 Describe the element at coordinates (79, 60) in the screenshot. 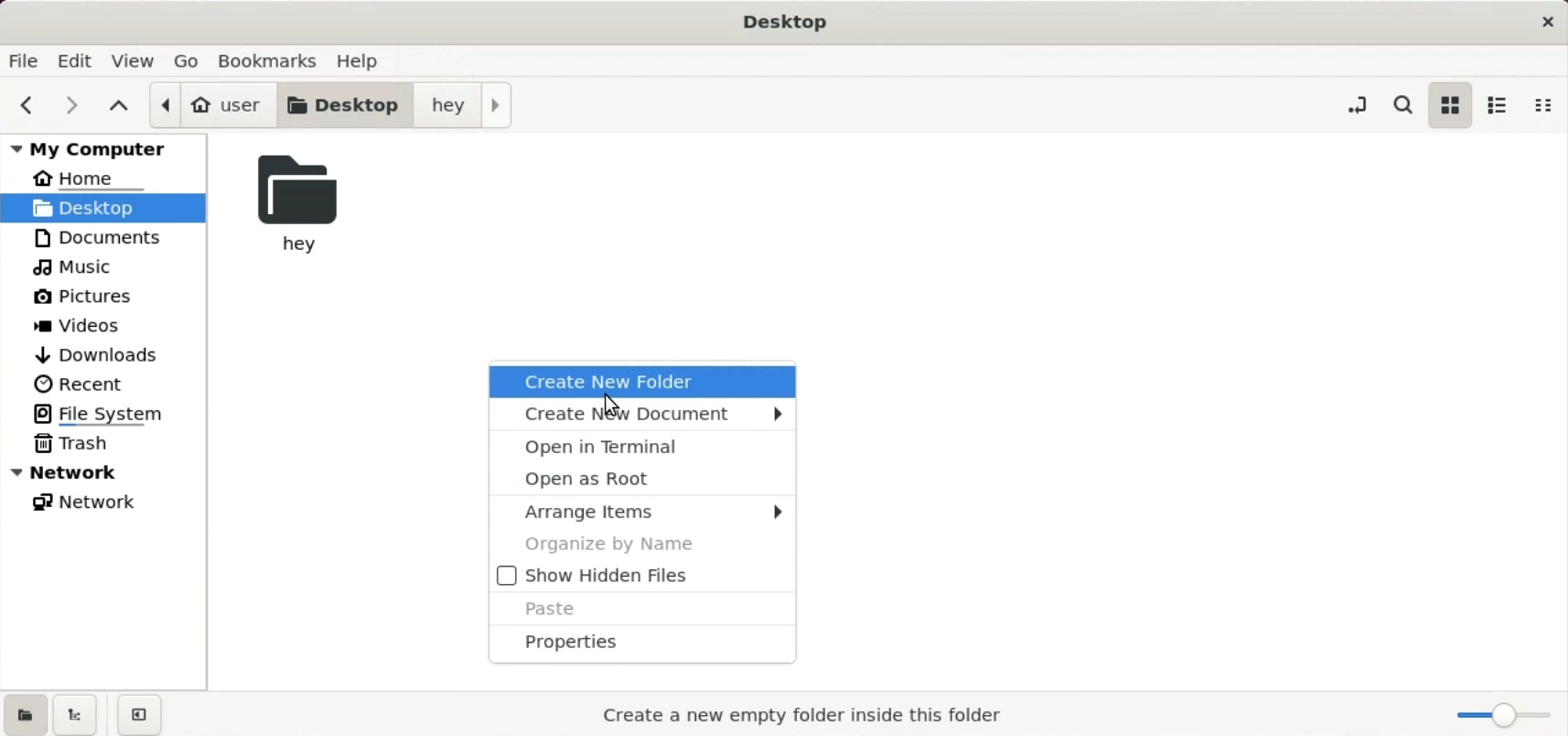

I see `edit` at that location.